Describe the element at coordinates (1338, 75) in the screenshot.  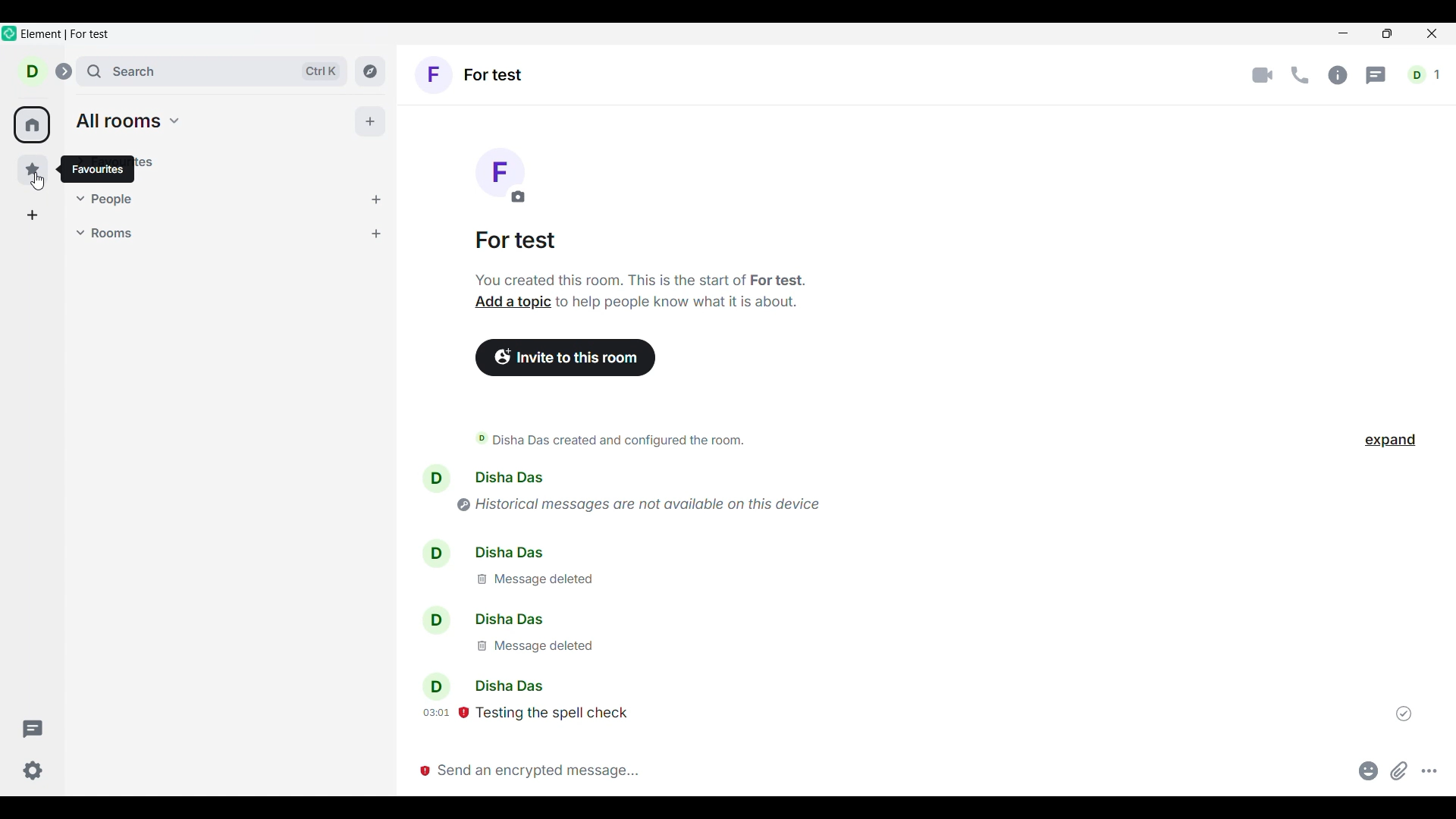
I see `Info` at that location.